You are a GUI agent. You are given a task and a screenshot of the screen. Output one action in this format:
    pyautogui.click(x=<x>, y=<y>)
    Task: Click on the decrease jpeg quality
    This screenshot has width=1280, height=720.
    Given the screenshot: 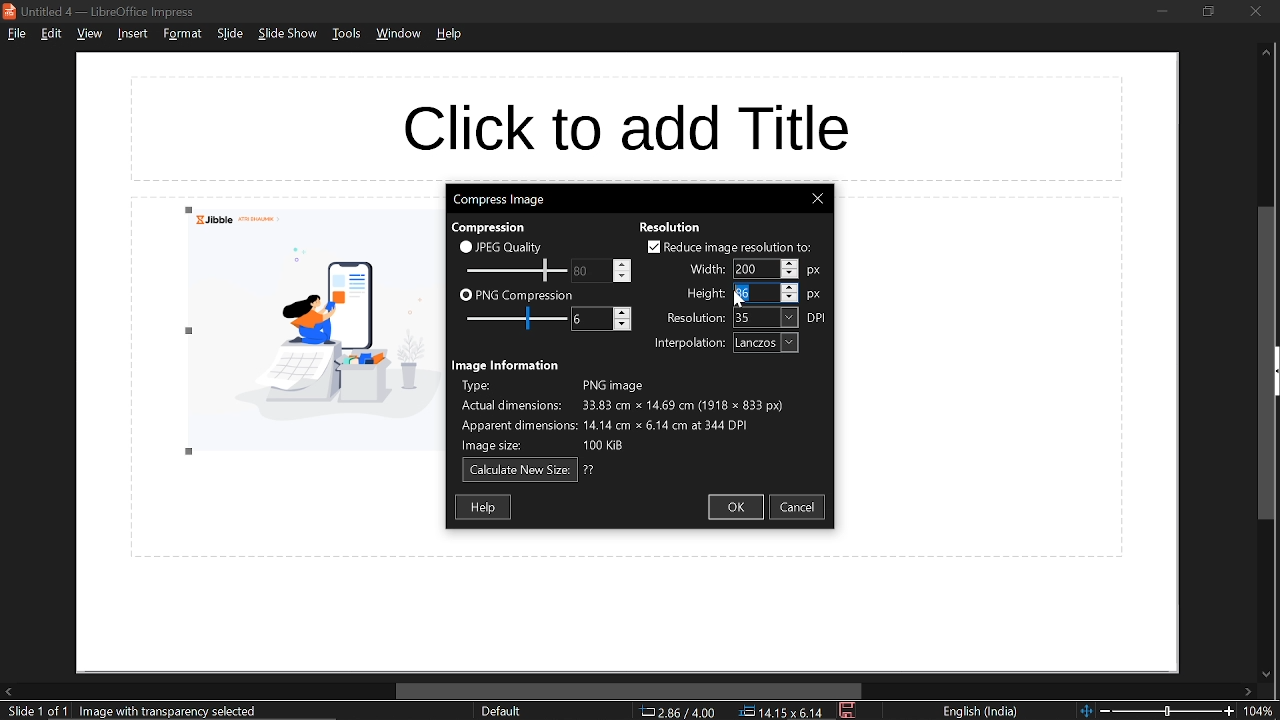 What is the action you would take?
    pyautogui.click(x=621, y=276)
    